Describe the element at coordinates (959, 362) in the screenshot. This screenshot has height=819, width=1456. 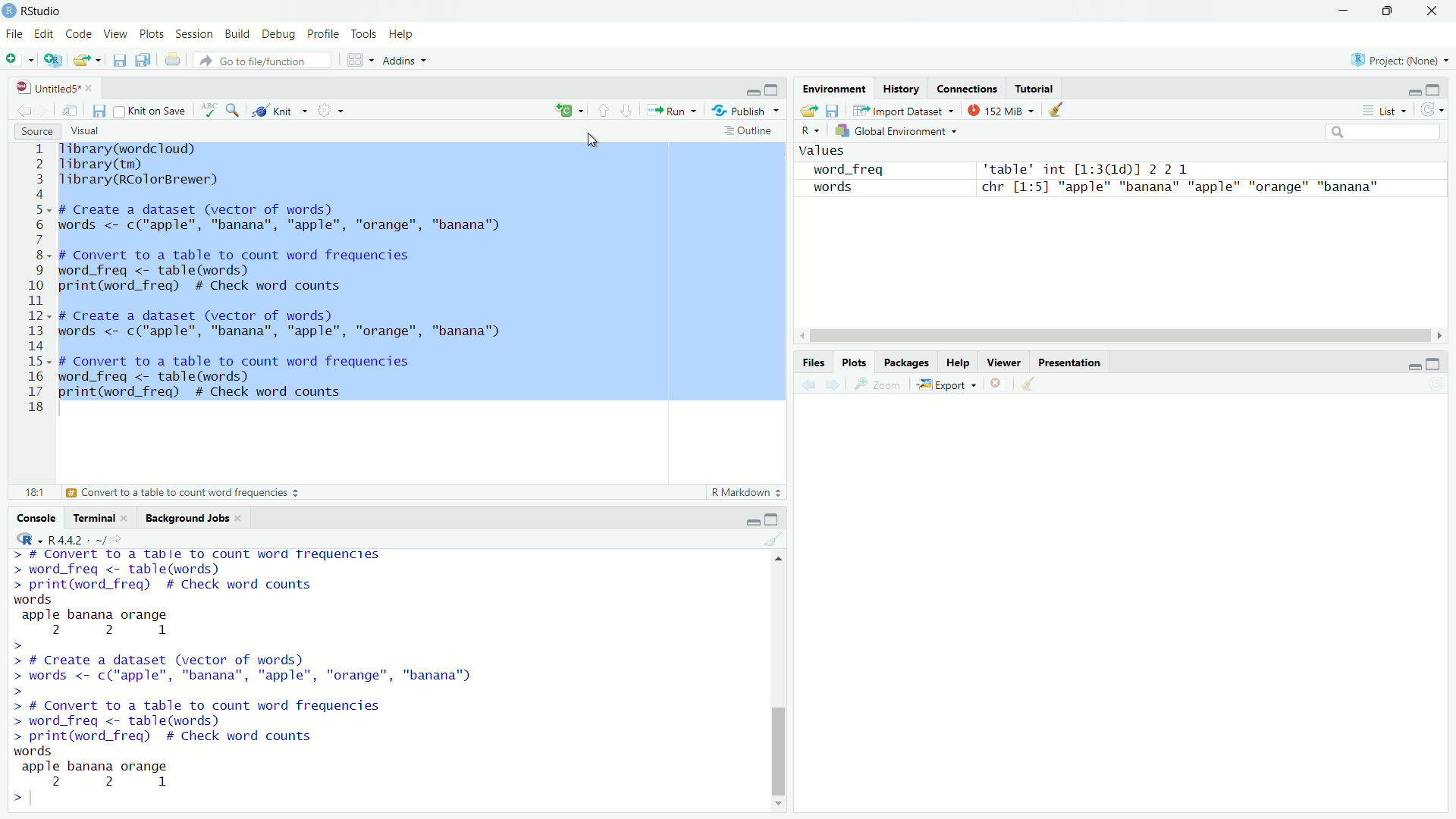
I see `Help` at that location.